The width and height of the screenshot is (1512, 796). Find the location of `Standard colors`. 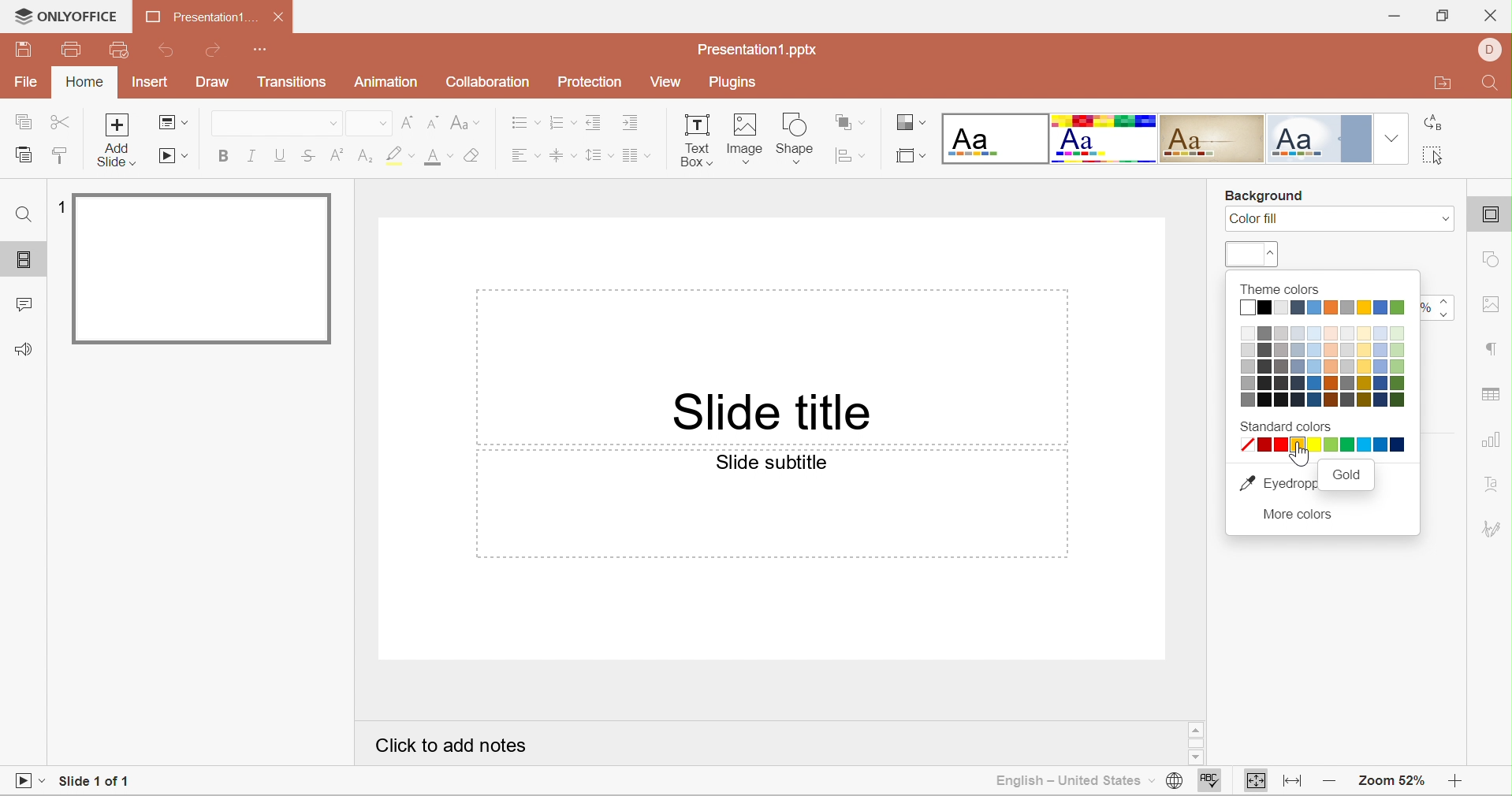

Standard colors is located at coordinates (1324, 445).